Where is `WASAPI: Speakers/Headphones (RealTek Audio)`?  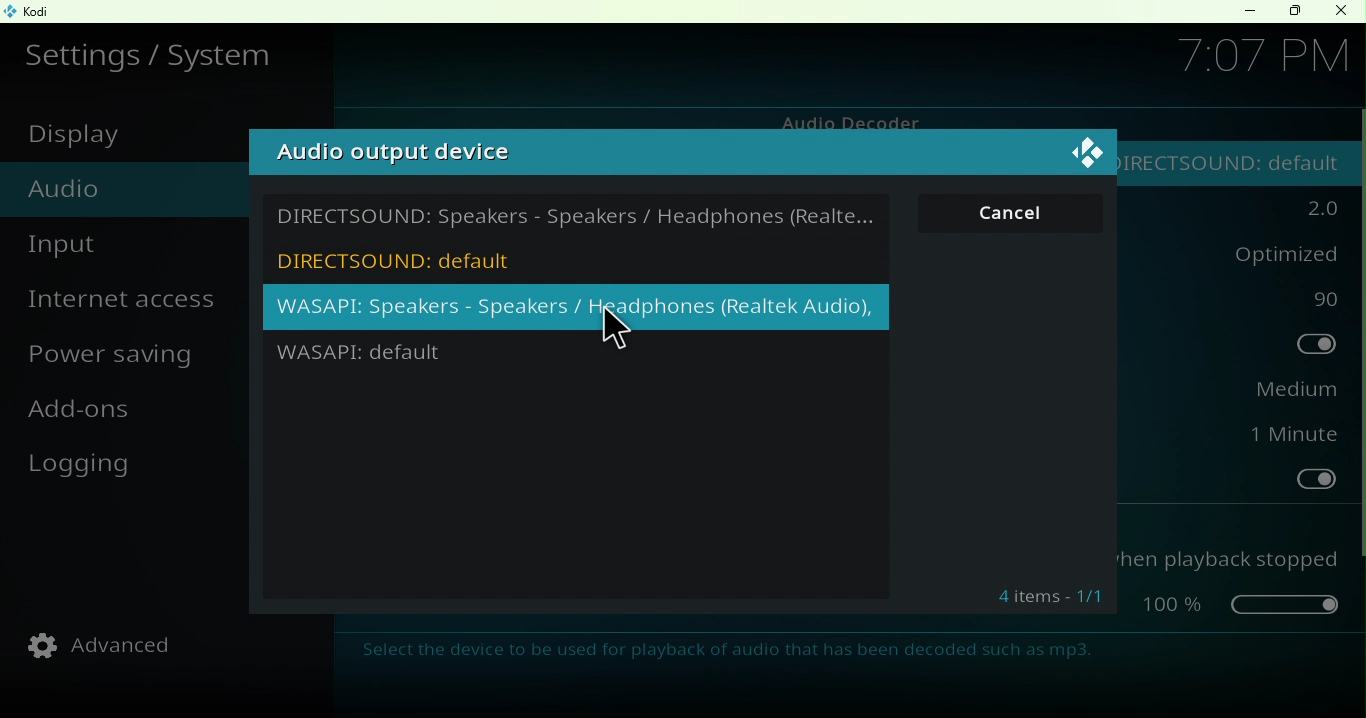 WASAPI: Speakers/Headphones (RealTek Audio) is located at coordinates (578, 310).